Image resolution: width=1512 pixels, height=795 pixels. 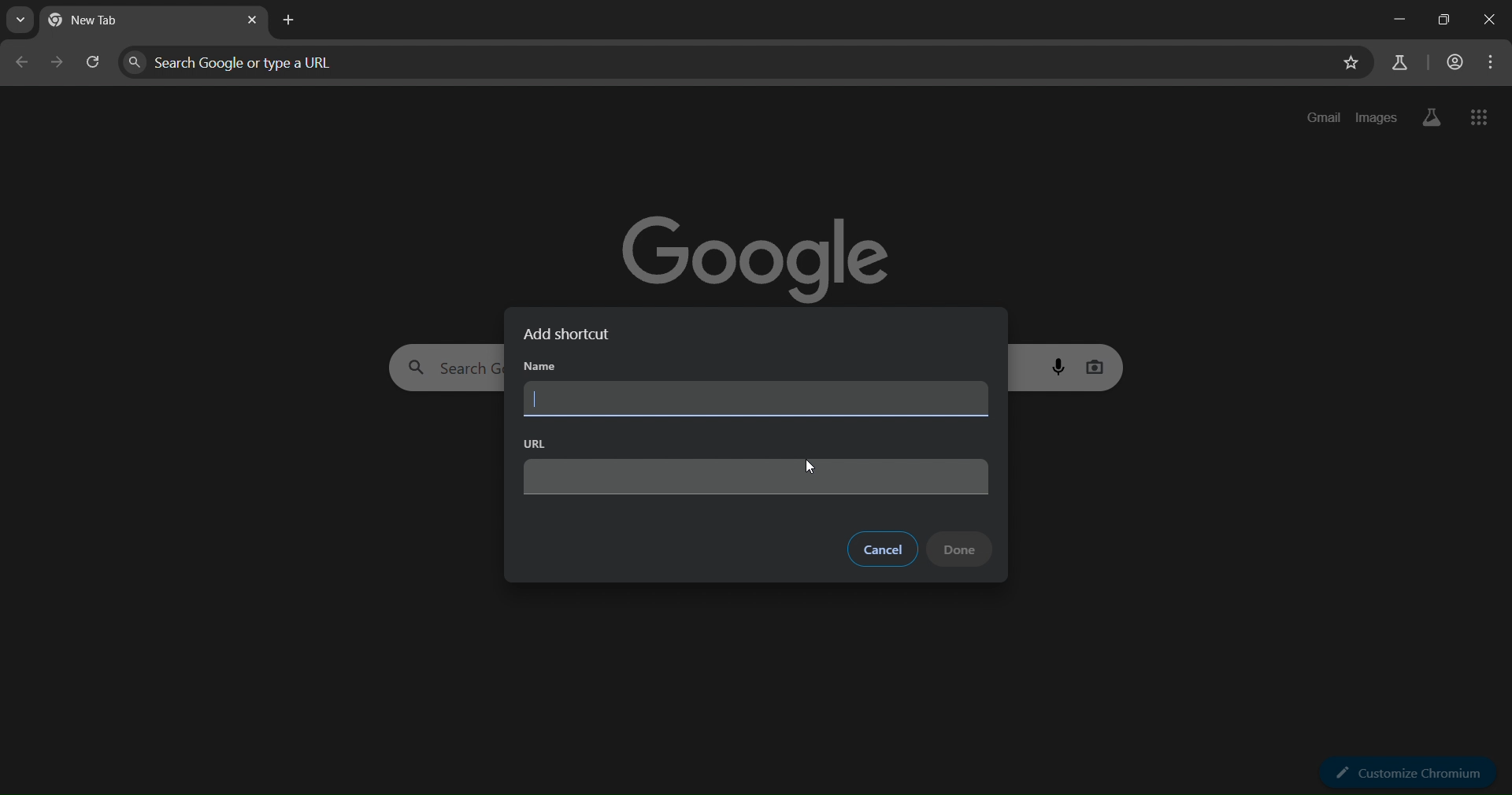 I want to click on google apps, so click(x=1480, y=119).